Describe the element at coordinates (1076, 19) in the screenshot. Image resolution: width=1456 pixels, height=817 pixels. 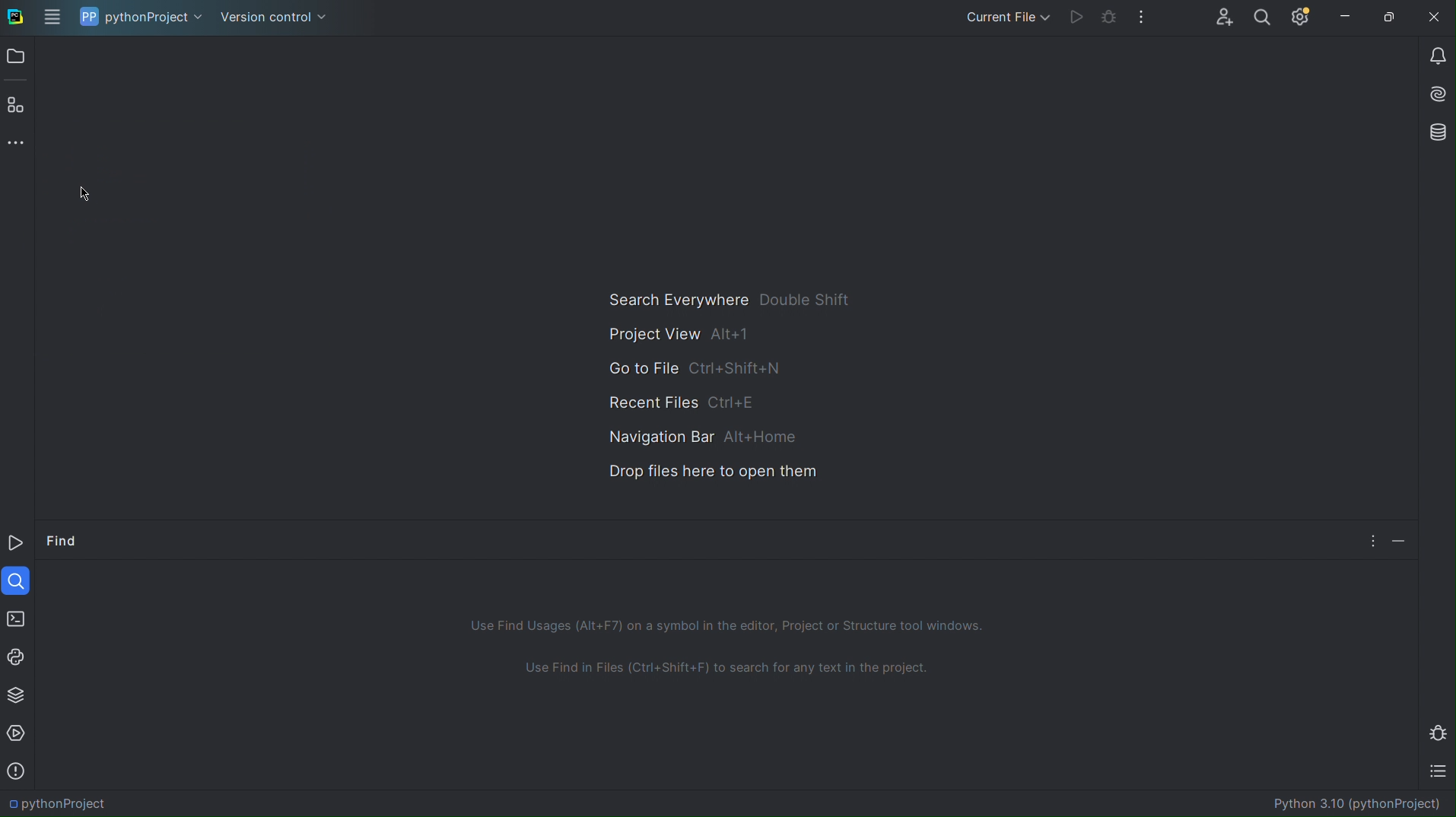
I see `Run` at that location.